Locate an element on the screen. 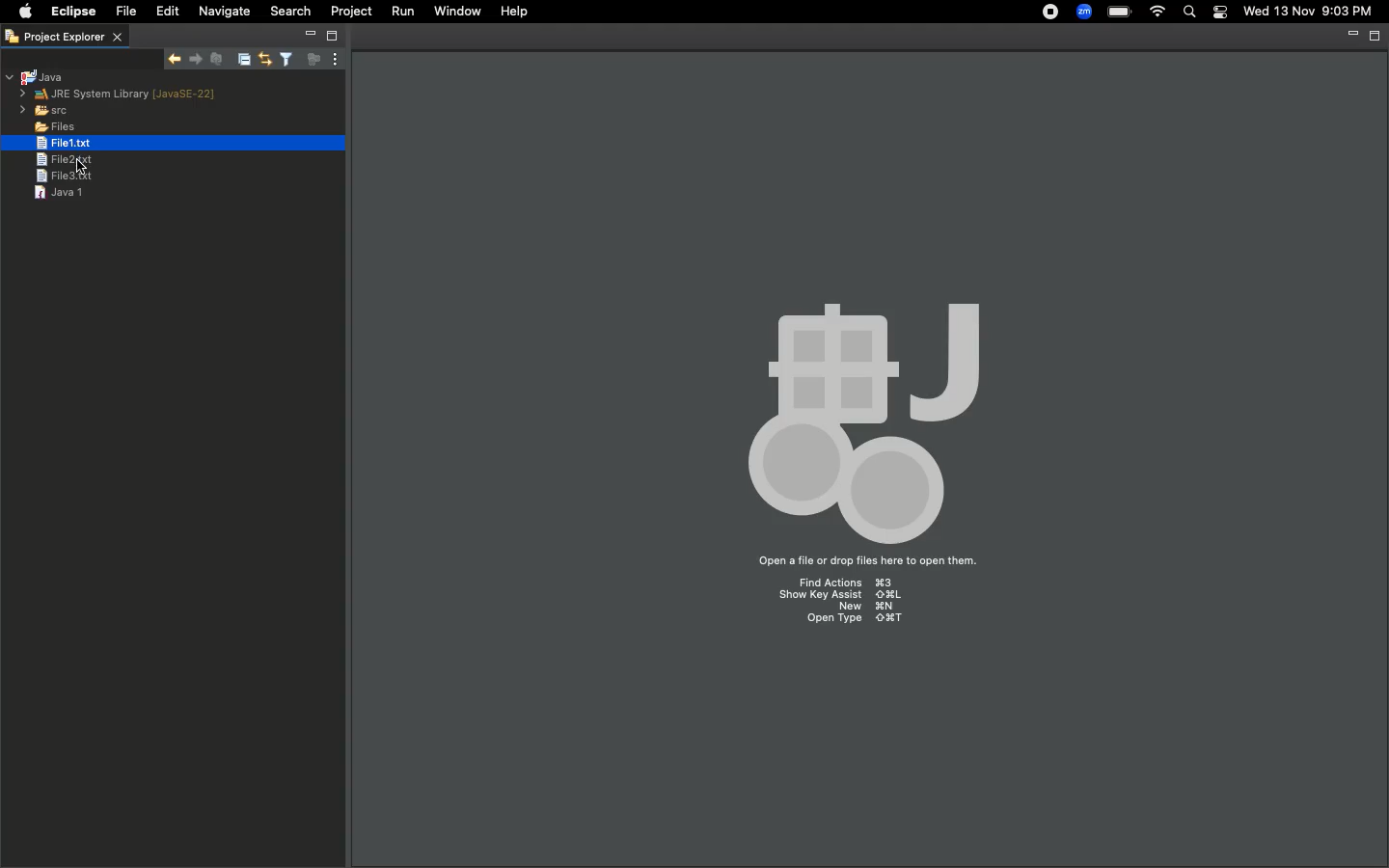 The height and width of the screenshot is (868, 1389). Search is located at coordinates (1189, 13).